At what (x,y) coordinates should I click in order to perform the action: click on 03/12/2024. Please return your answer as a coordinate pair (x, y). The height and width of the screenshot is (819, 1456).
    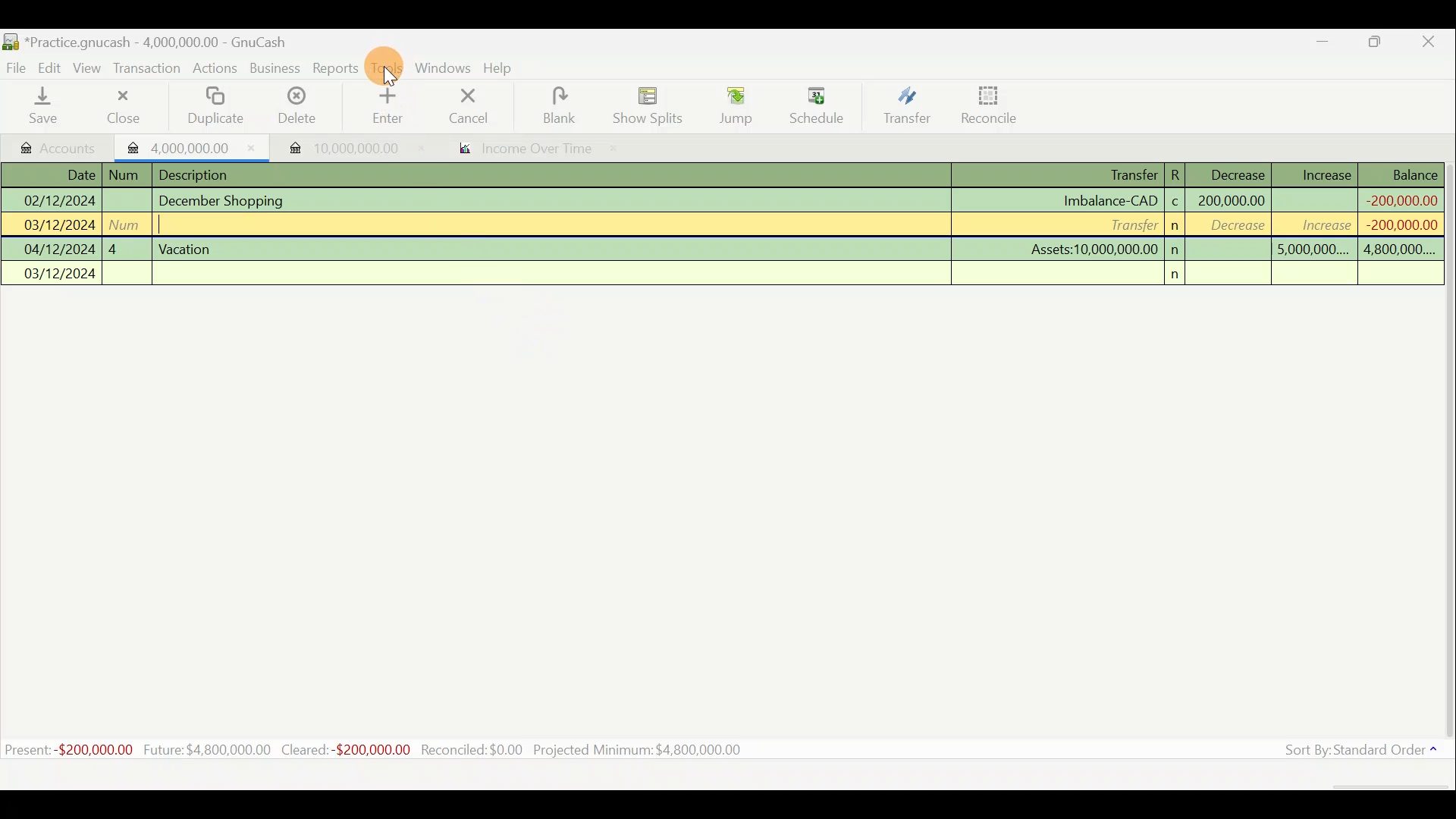
    Looking at the image, I should click on (60, 227).